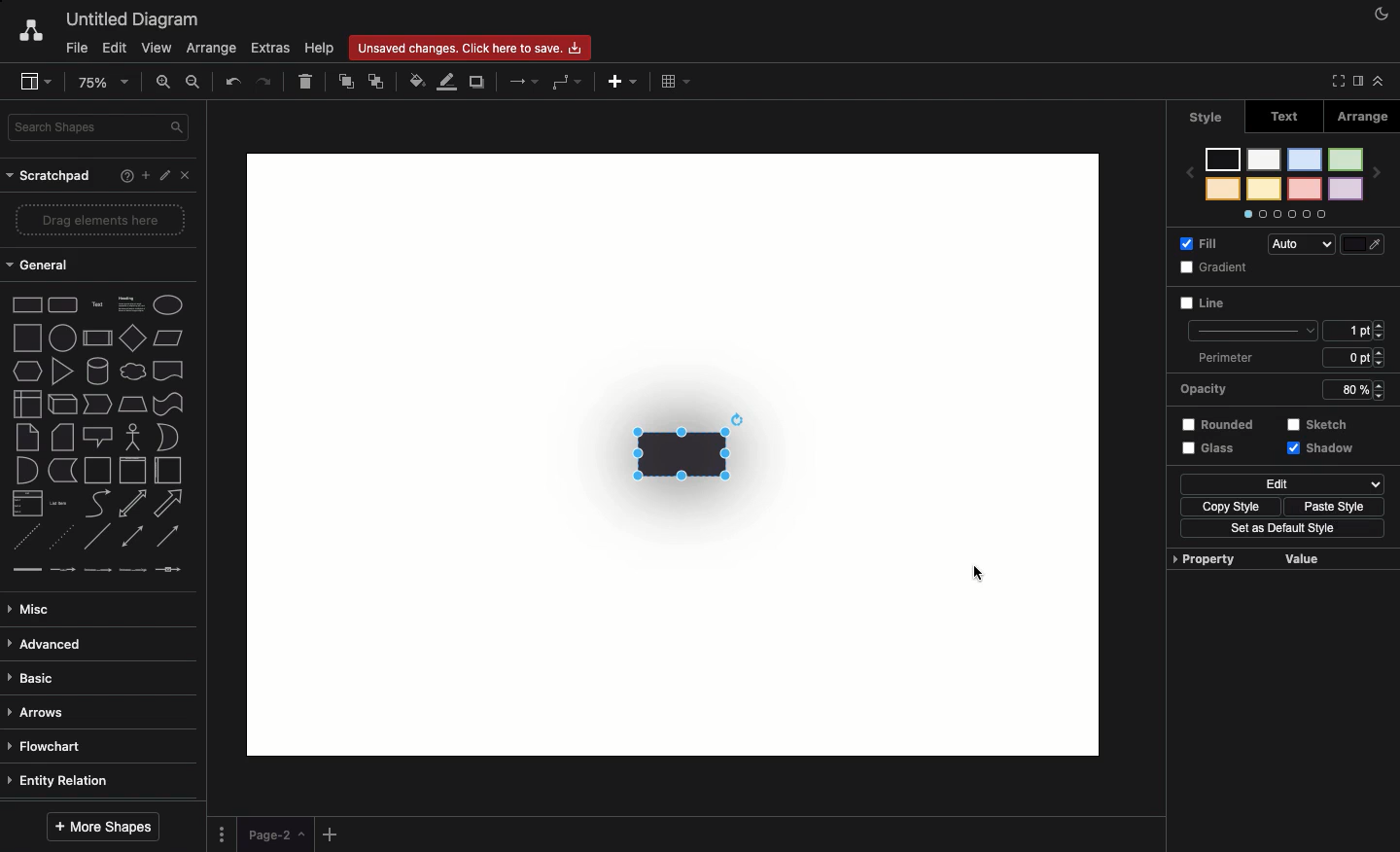 This screenshot has height=852, width=1400. Describe the element at coordinates (158, 48) in the screenshot. I see `View` at that location.